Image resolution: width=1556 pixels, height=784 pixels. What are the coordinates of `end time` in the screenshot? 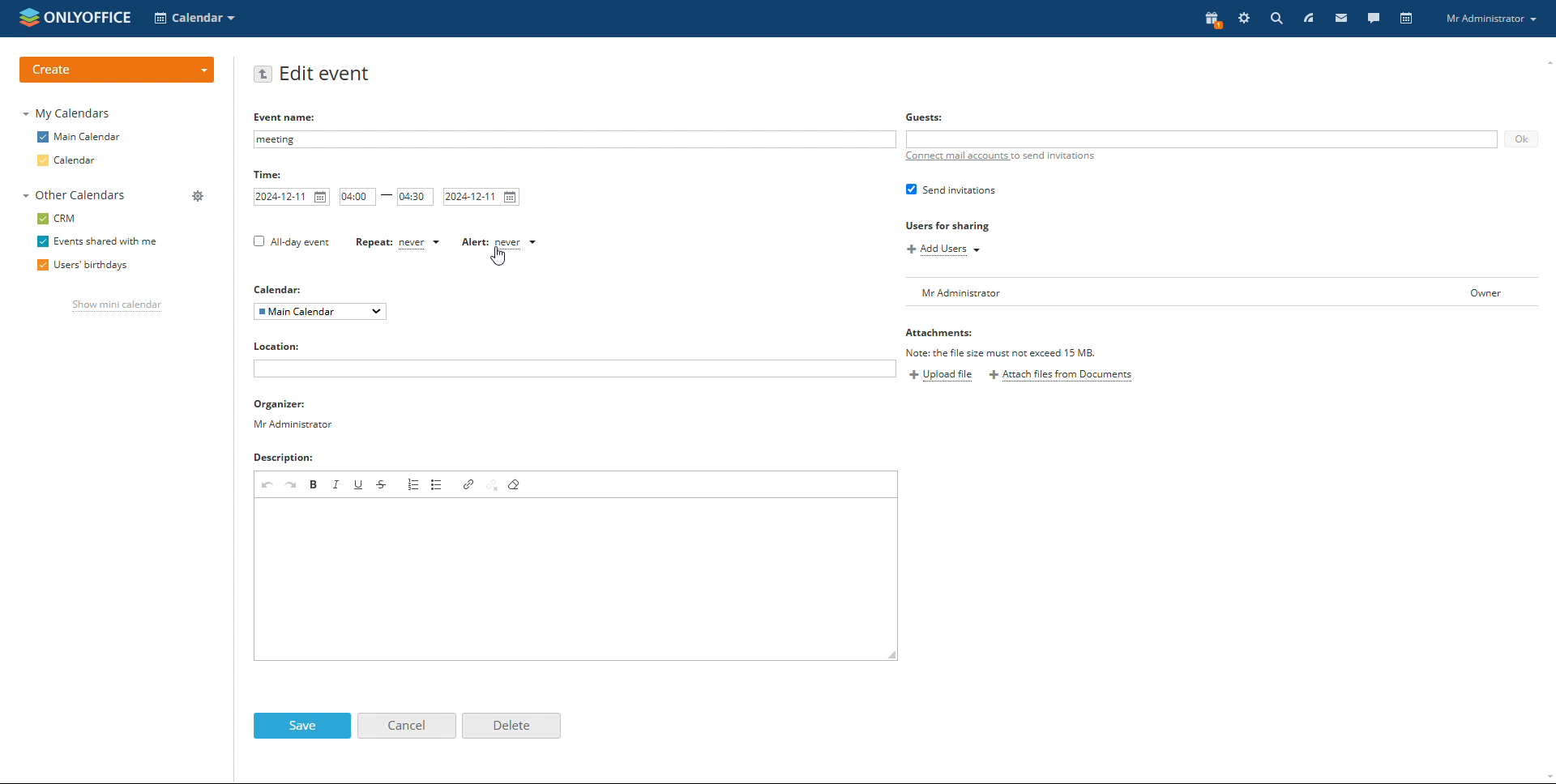 It's located at (416, 197).